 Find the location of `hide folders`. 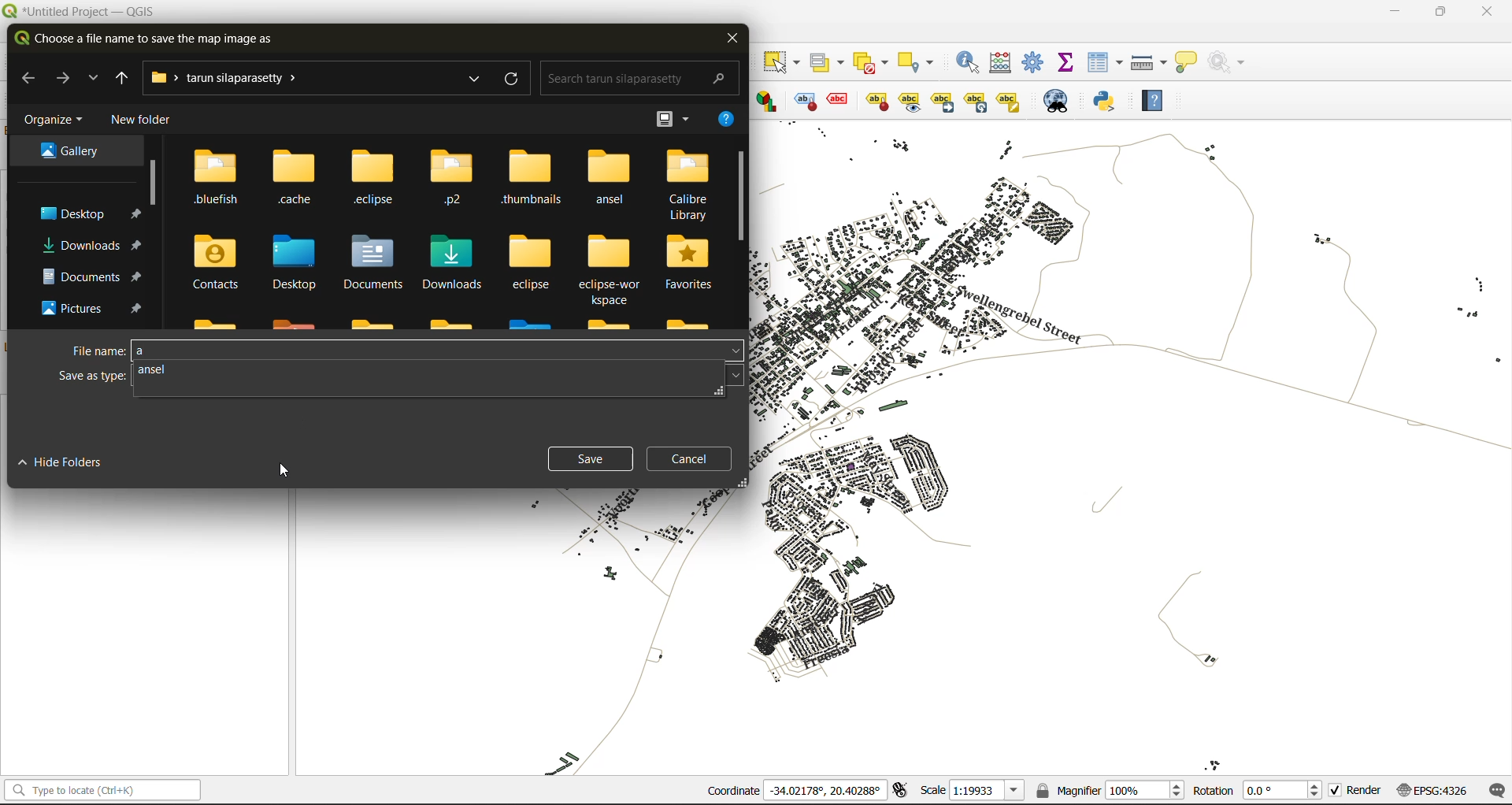

hide folders is located at coordinates (72, 465).